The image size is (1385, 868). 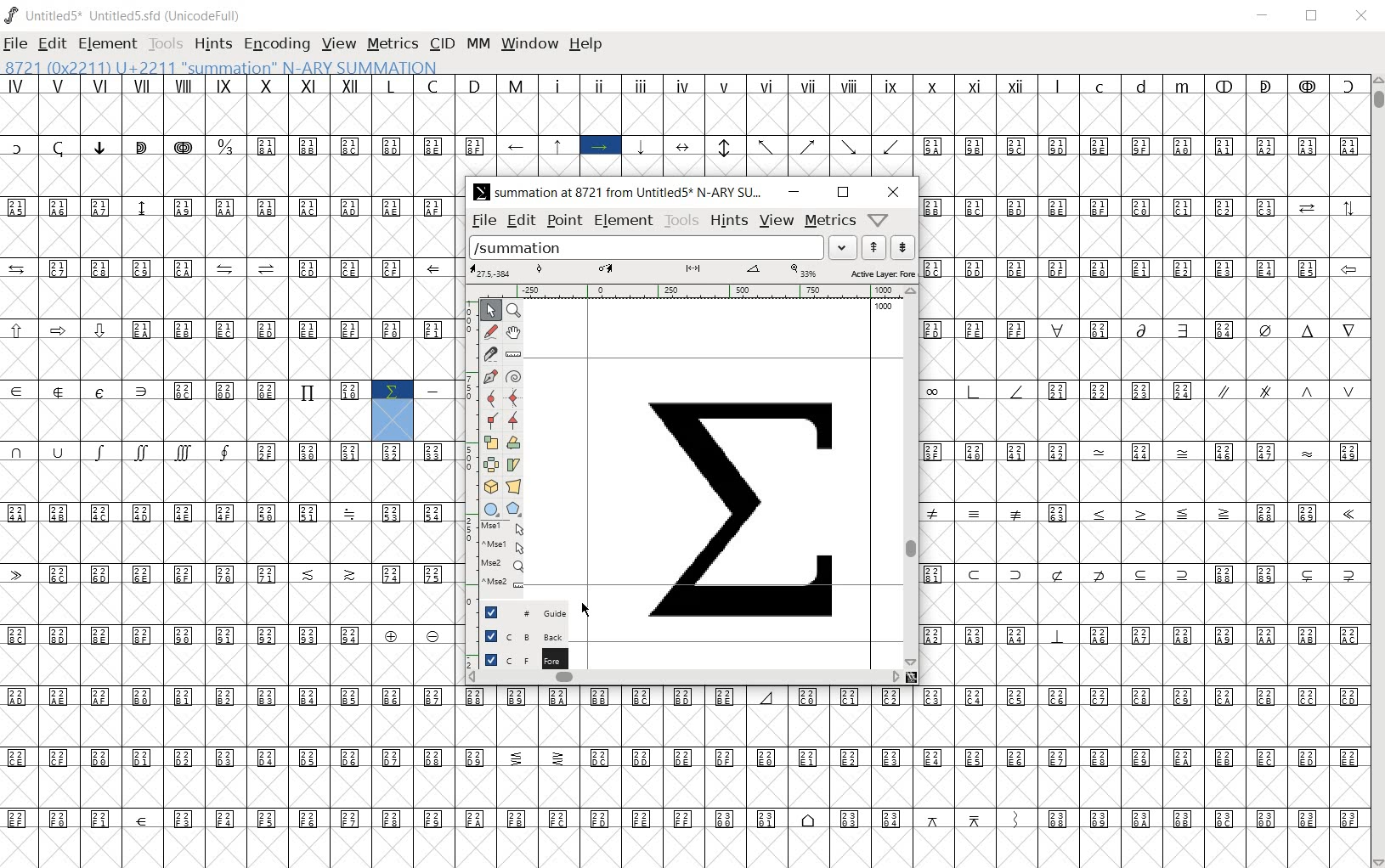 I want to click on restore, so click(x=842, y=193).